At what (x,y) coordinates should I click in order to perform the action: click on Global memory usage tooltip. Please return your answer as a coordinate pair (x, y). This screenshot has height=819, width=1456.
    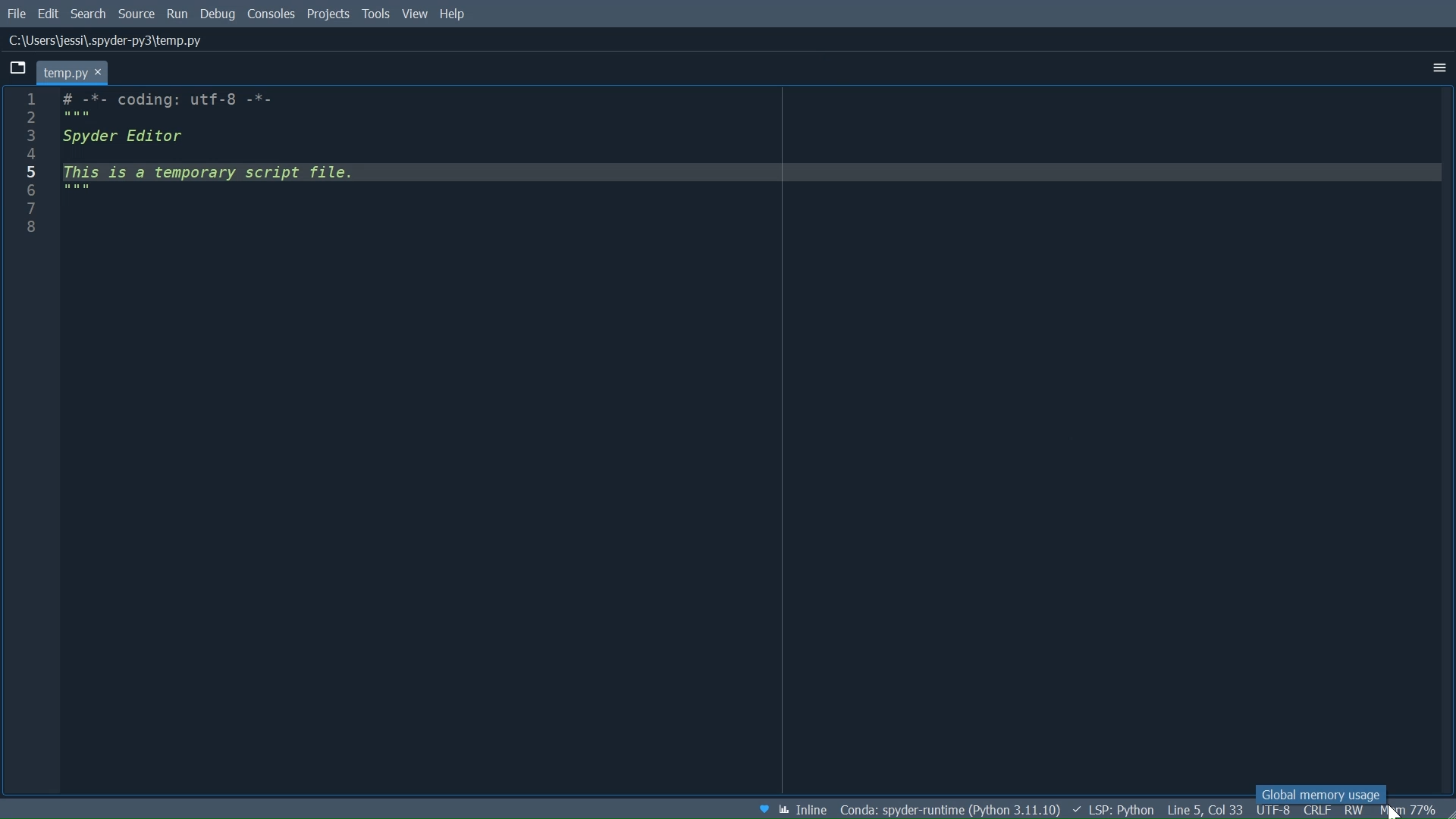
    Looking at the image, I should click on (1320, 791).